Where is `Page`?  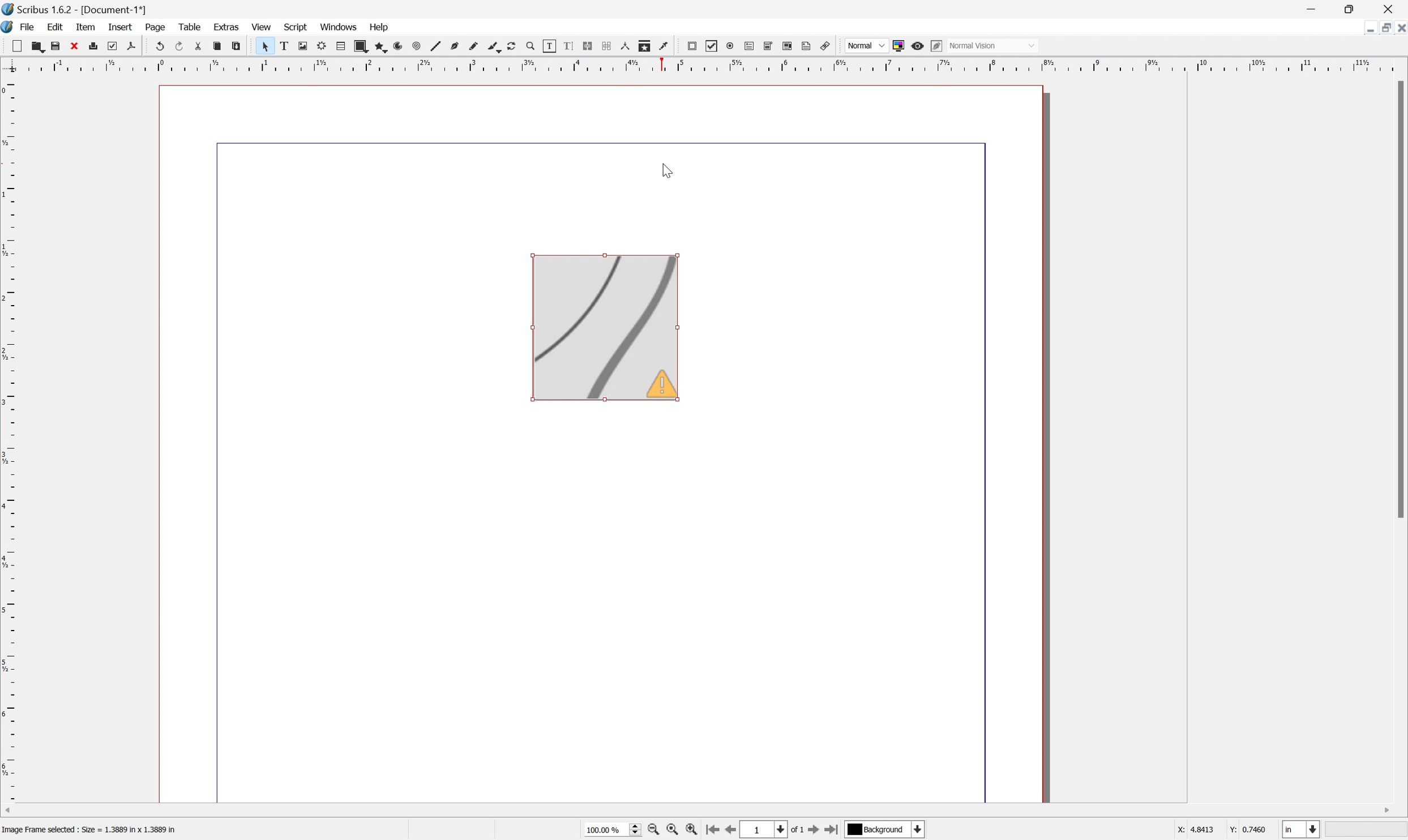 Page is located at coordinates (154, 27).